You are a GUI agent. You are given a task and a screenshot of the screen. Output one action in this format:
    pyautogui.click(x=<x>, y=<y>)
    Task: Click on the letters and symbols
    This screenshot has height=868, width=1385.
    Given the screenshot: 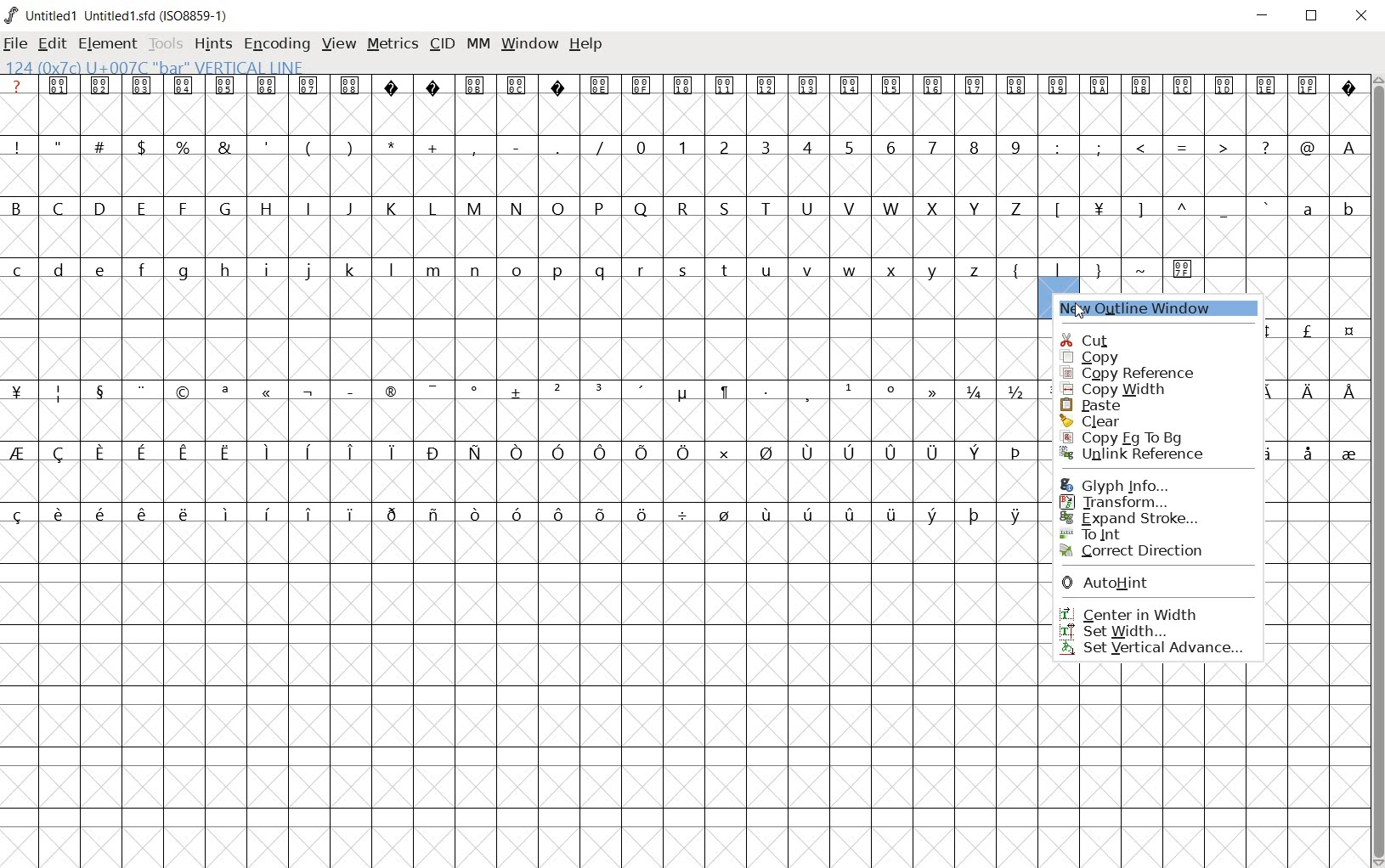 What is the action you would take?
    pyautogui.click(x=683, y=207)
    